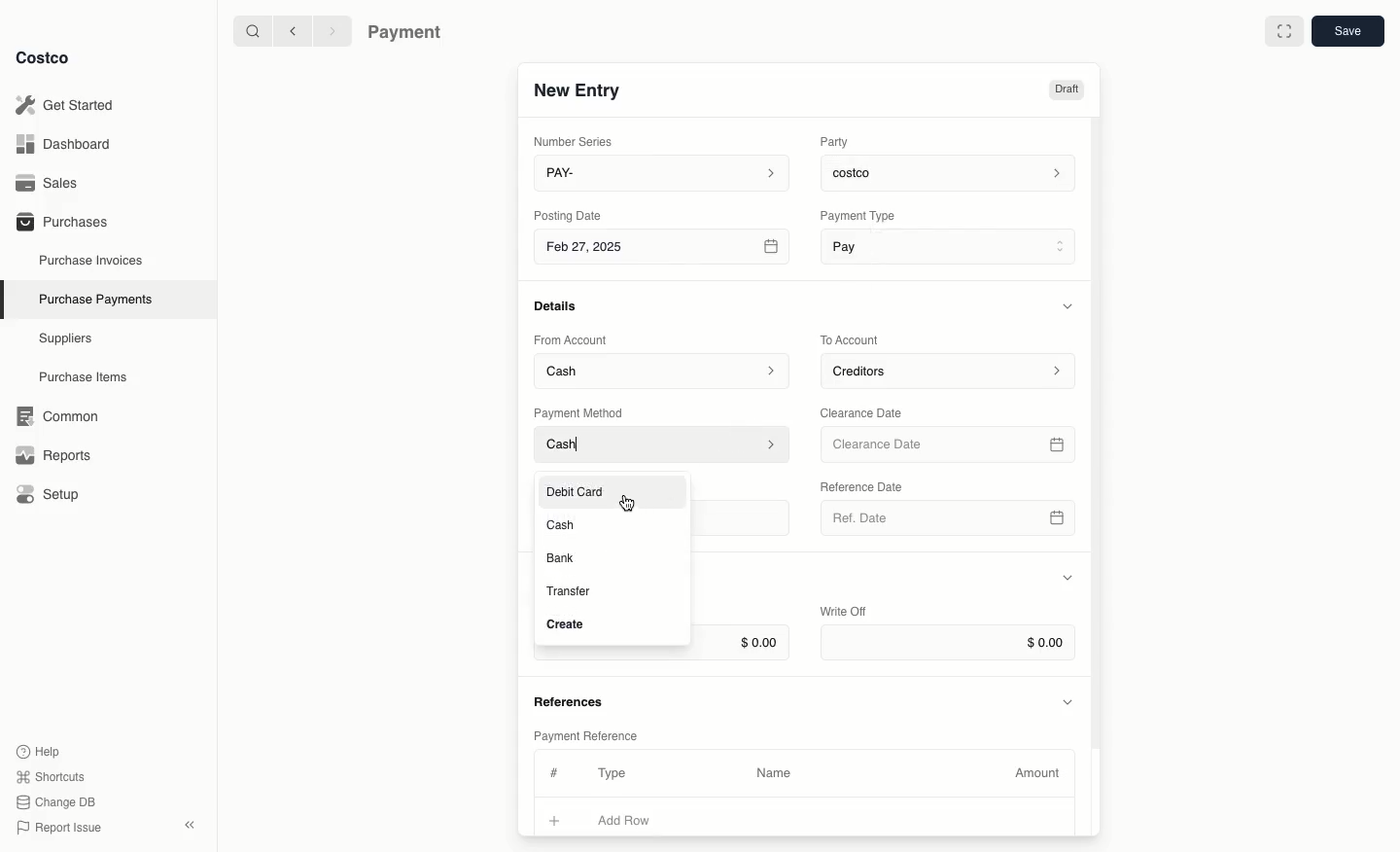 The height and width of the screenshot is (852, 1400). Describe the element at coordinates (555, 818) in the screenshot. I see `Add` at that location.